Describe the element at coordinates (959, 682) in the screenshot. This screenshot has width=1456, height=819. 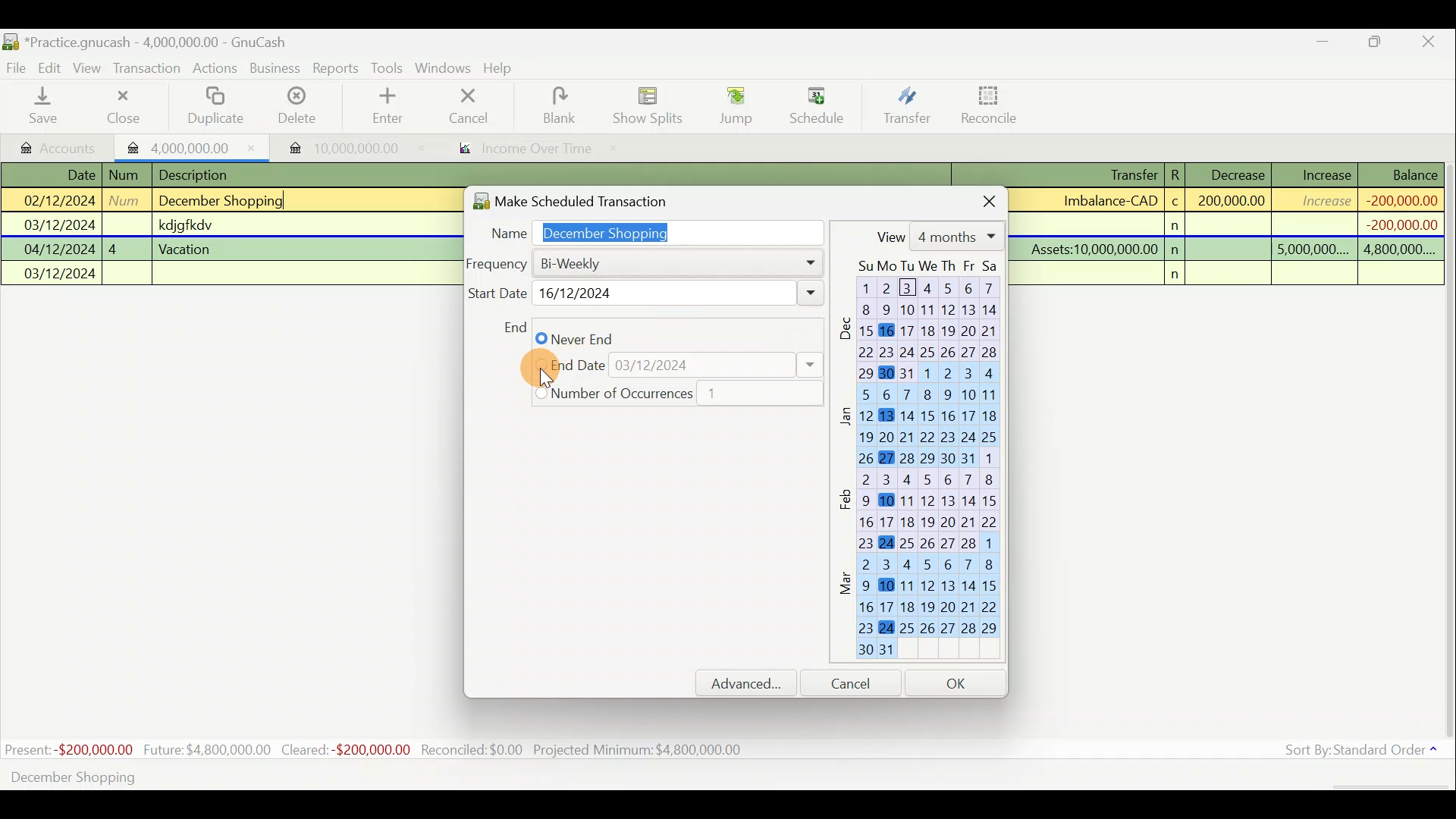
I see `OK` at that location.